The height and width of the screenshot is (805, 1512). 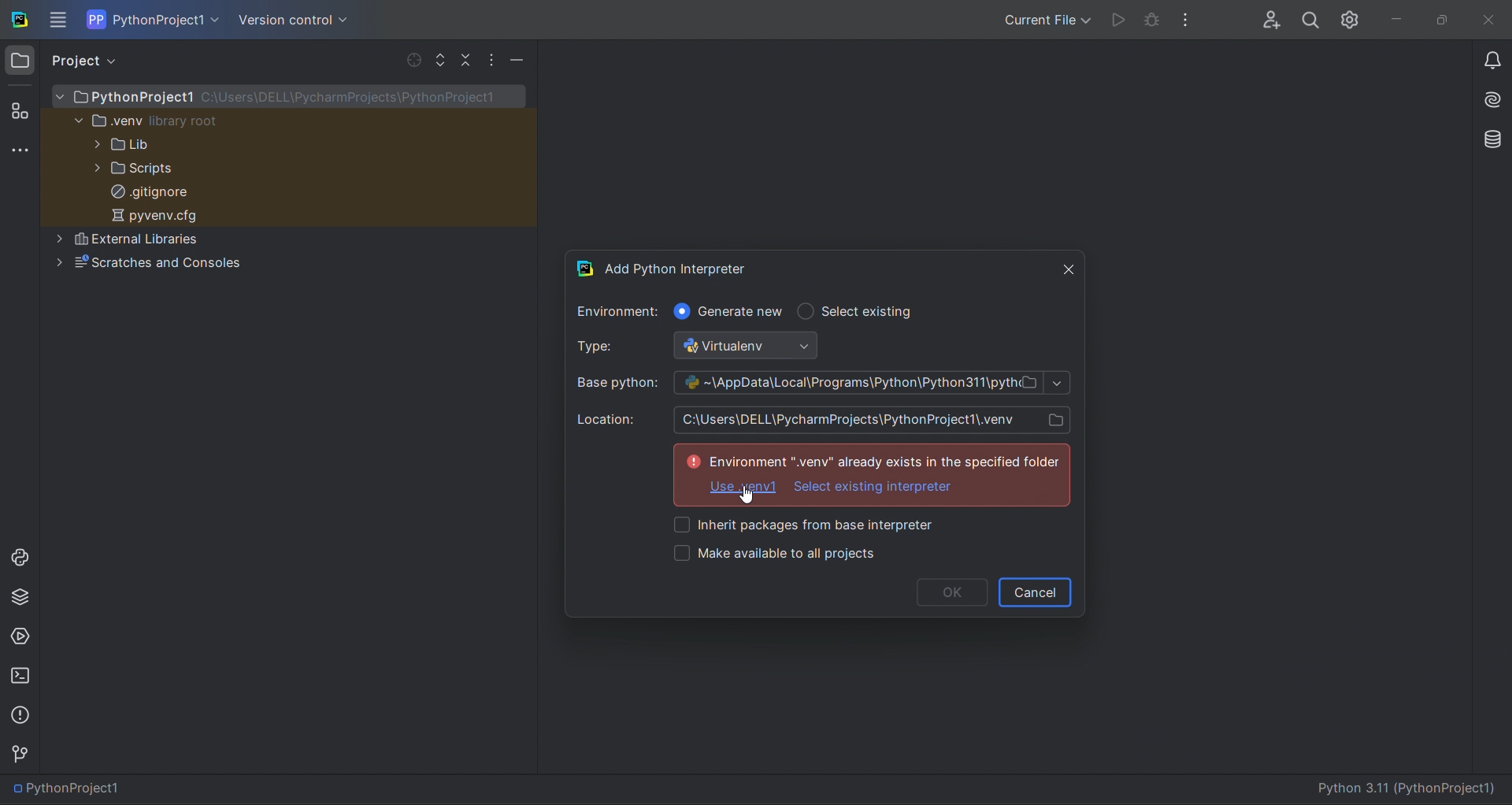 What do you see at coordinates (23, 677) in the screenshot?
I see `terminal` at bounding box center [23, 677].